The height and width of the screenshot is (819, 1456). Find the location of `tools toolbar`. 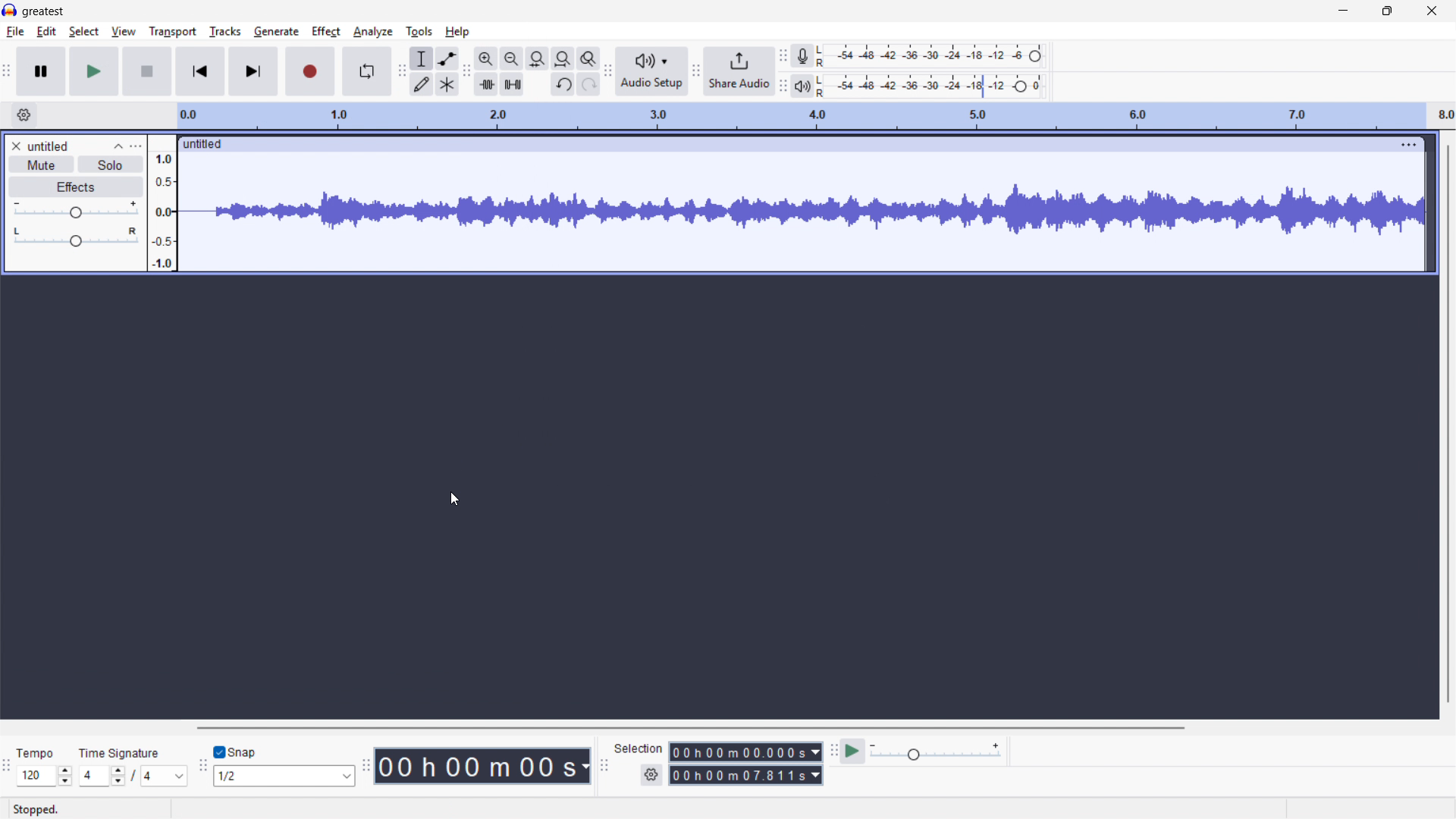

tools toolbar is located at coordinates (402, 73).